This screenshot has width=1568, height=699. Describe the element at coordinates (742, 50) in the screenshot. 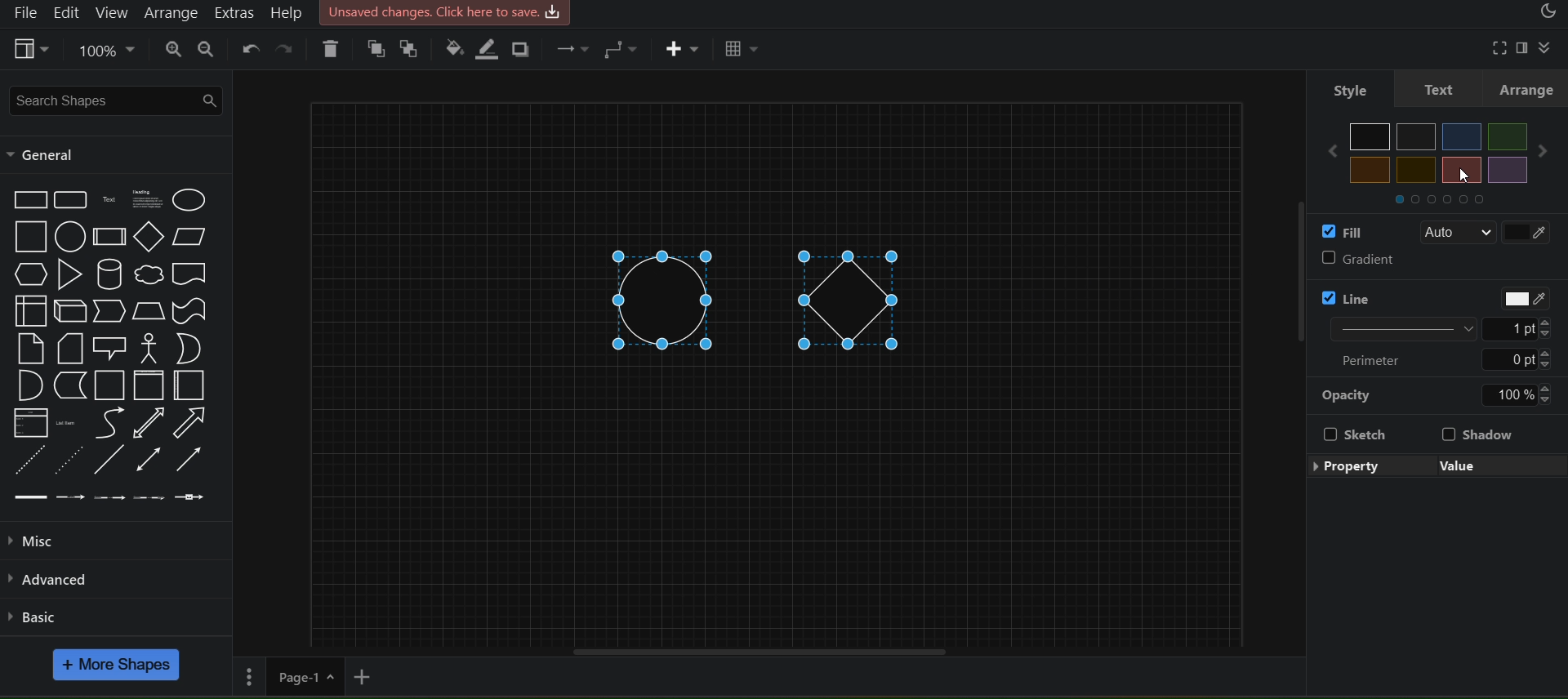

I see `table` at that location.